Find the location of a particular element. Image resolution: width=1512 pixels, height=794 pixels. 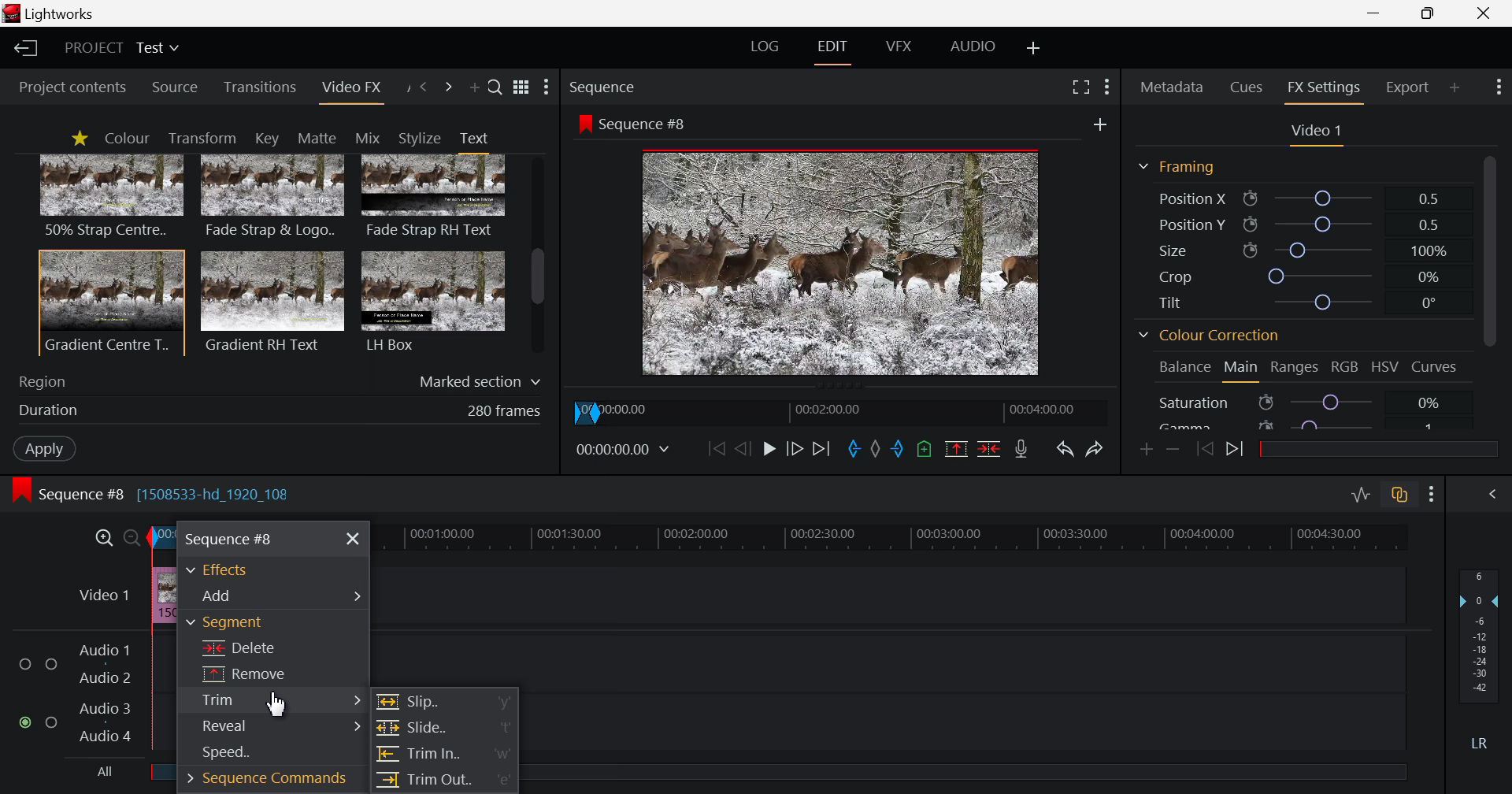

Go Back is located at coordinates (743, 448).